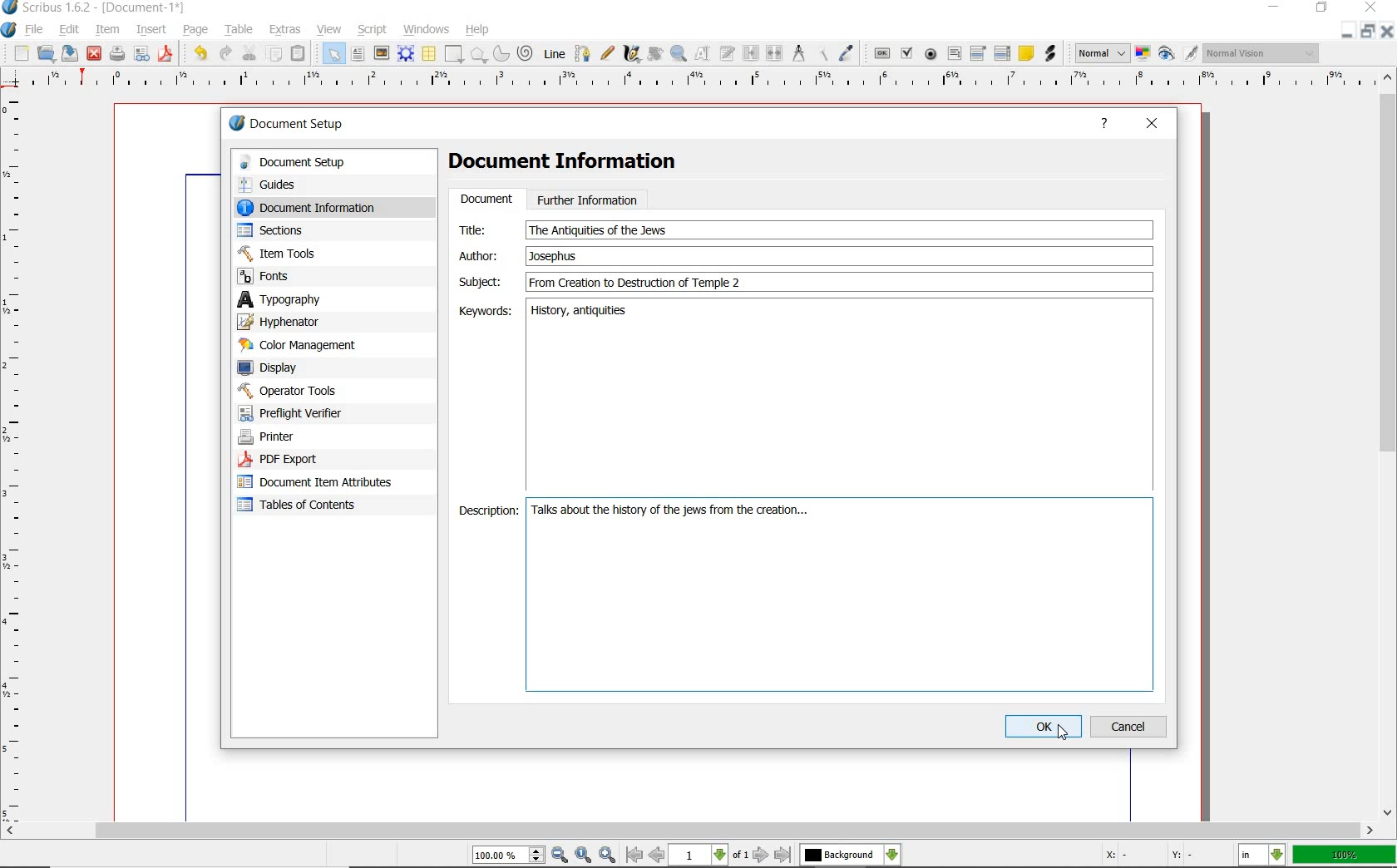 The image size is (1397, 868). I want to click on toggle color management, so click(1143, 53).